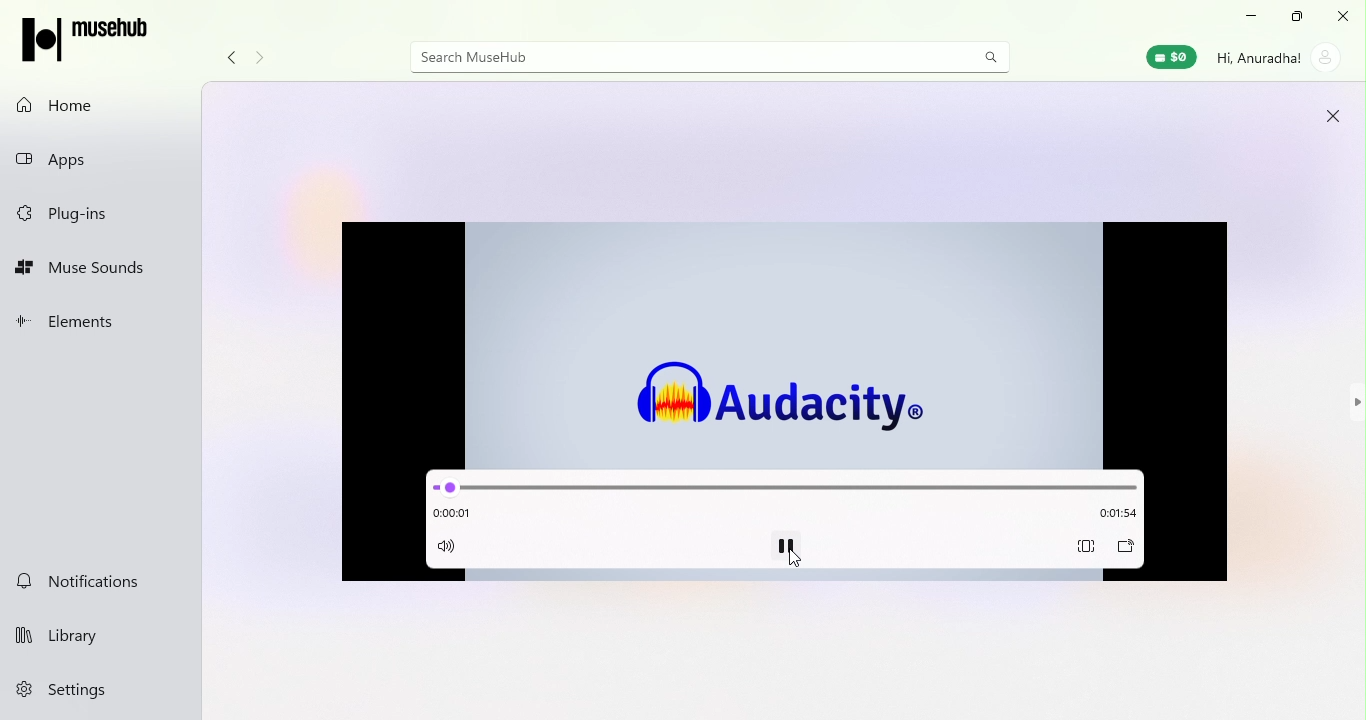  What do you see at coordinates (96, 695) in the screenshot?
I see `Settings` at bounding box center [96, 695].